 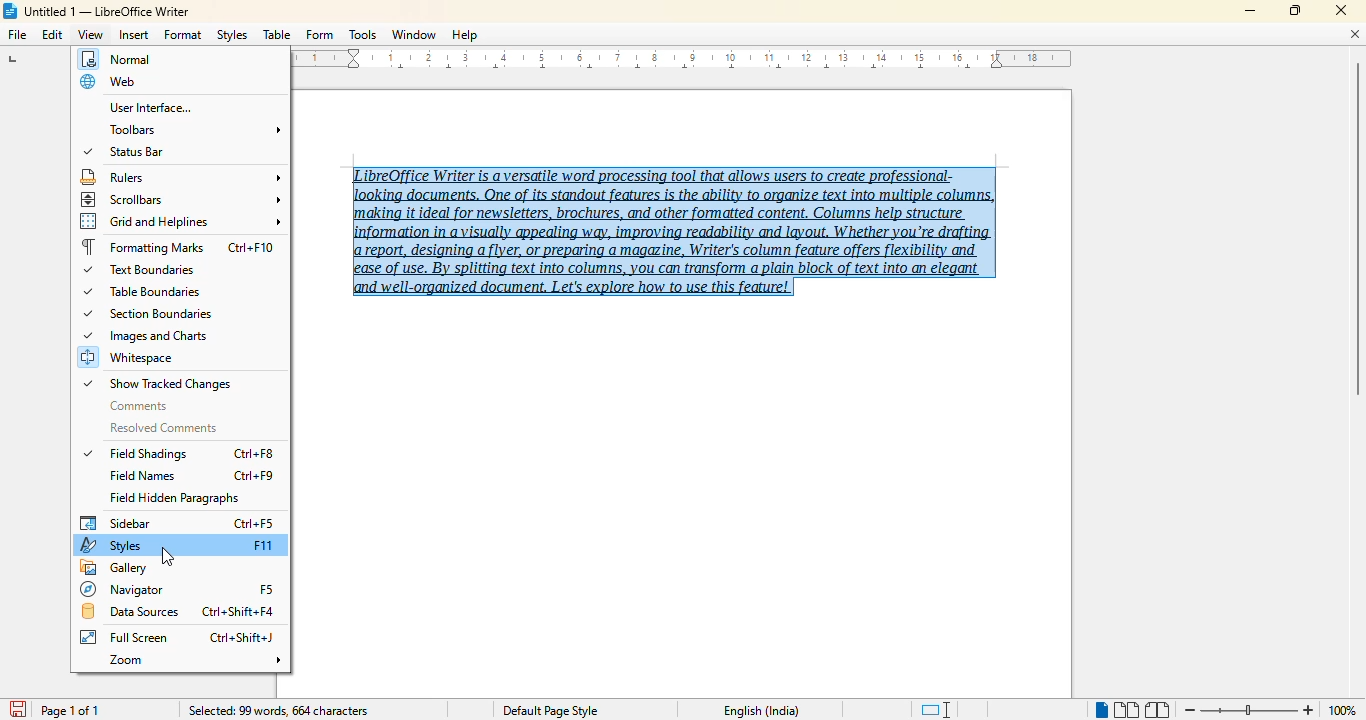 What do you see at coordinates (178, 636) in the screenshot?
I see `full screen` at bounding box center [178, 636].